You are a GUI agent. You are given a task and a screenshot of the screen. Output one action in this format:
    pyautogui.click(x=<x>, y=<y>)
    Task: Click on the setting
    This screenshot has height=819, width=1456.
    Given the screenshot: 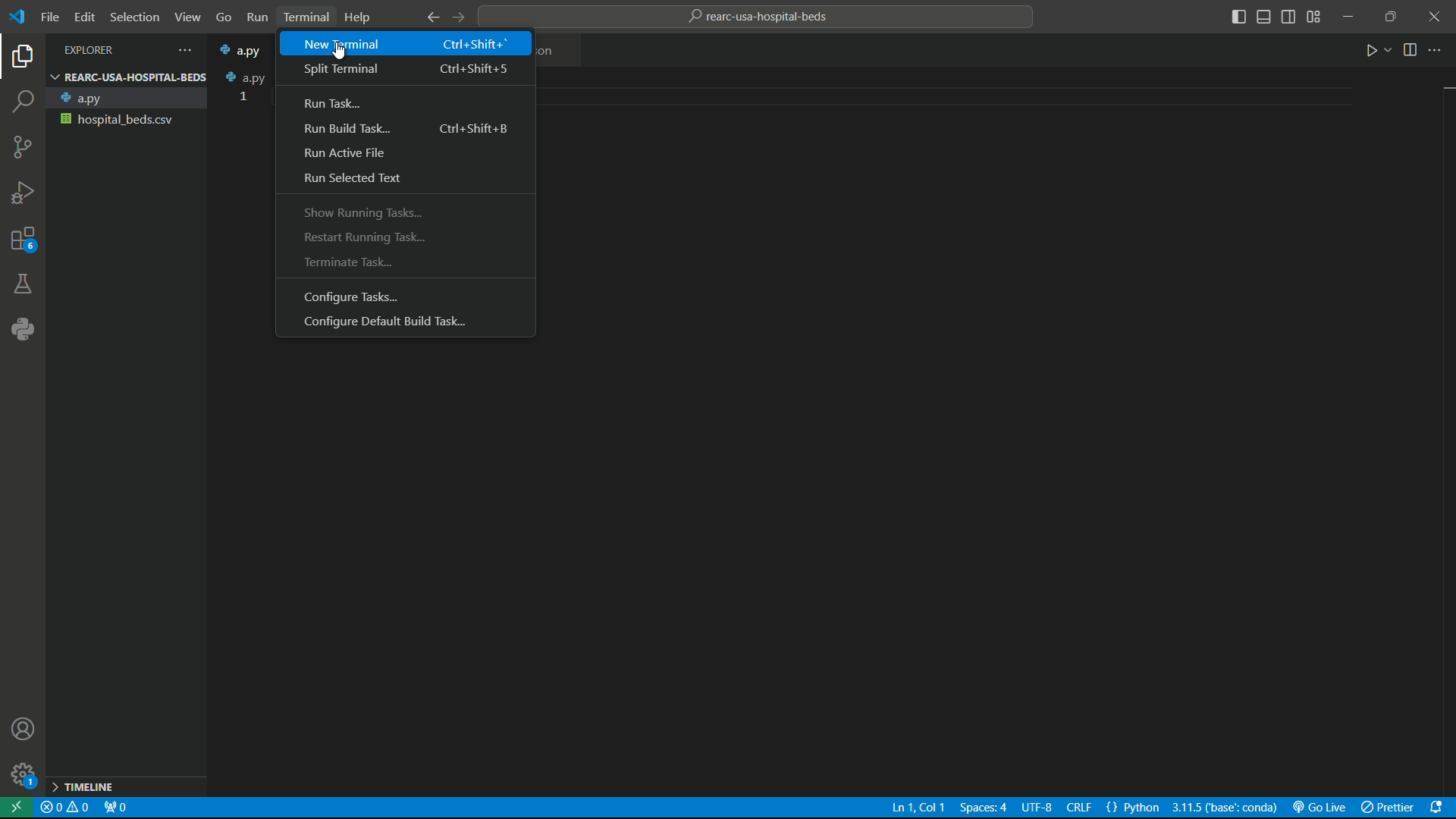 What is the action you would take?
    pyautogui.click(x=21, y=773)
    